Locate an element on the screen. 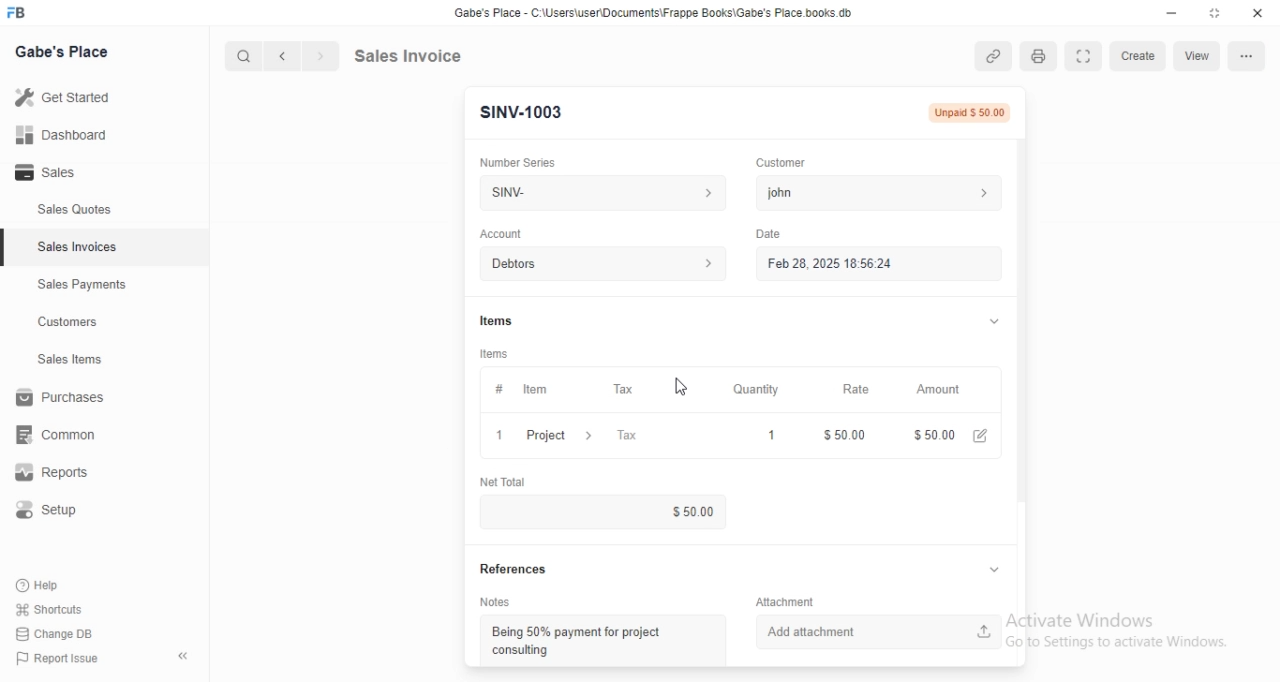  Create is located at coordinates (1136, 55).